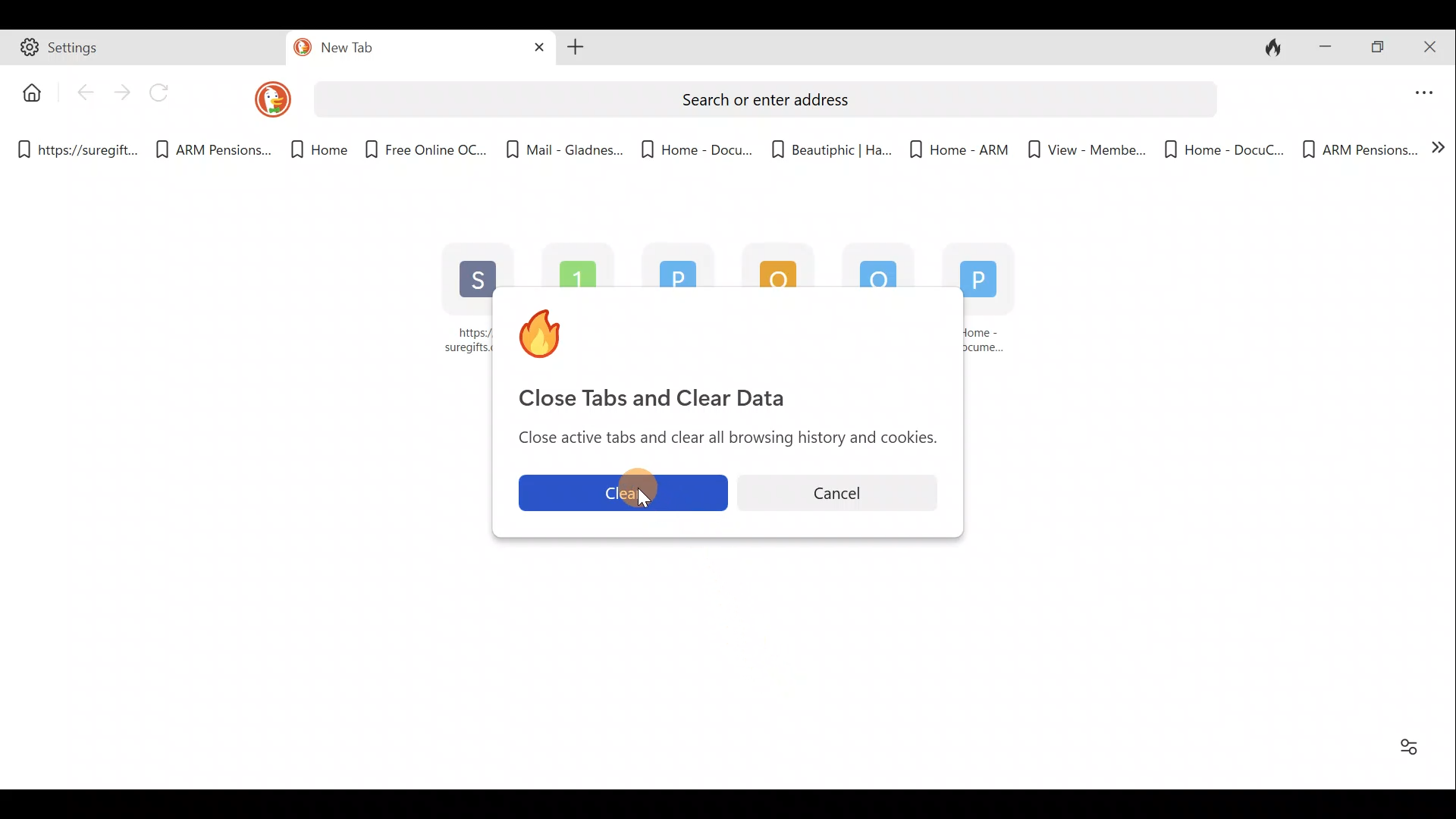 The height and width of the screenshot is (819, 1456). What do you see at coordinates (458, 301) in the screenshot?
I see `https://
suregifts co...` at bounding box center [458, 301].